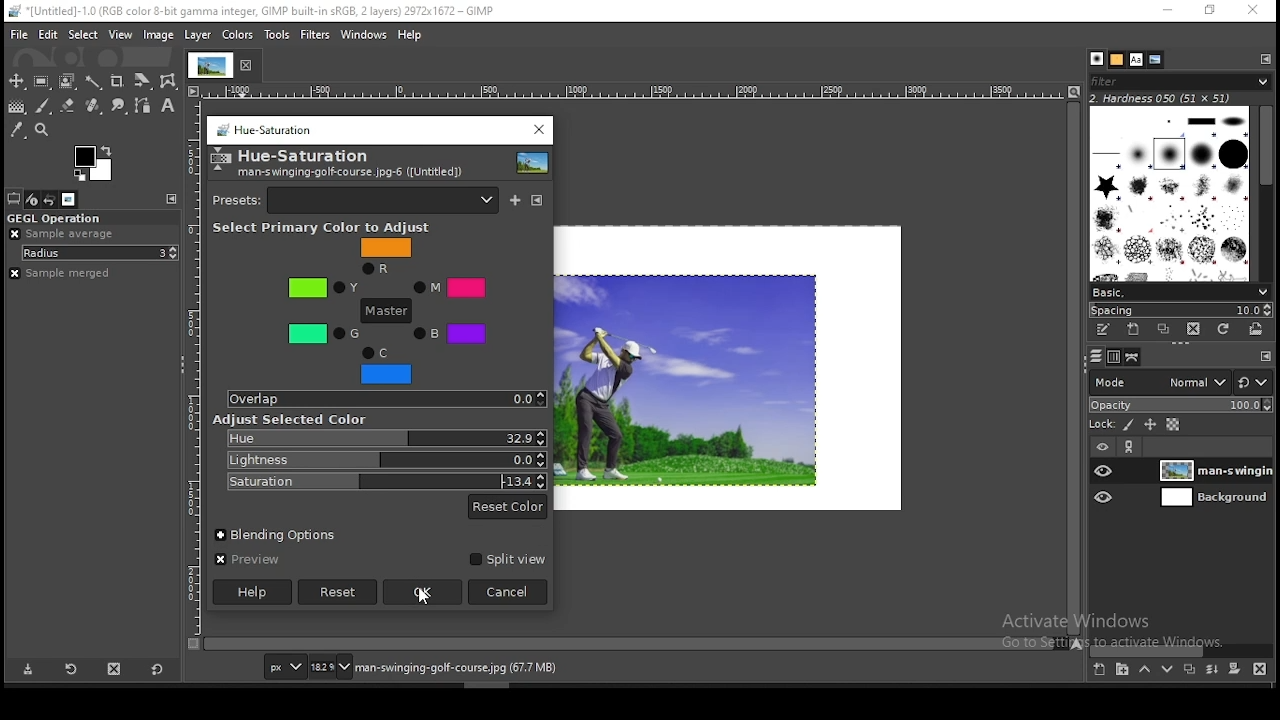 The width and height of the screenshot is (1280, 720). Describe the element at coordinates (1212, 670) in the screenshot. I see `merge layer` at that location.